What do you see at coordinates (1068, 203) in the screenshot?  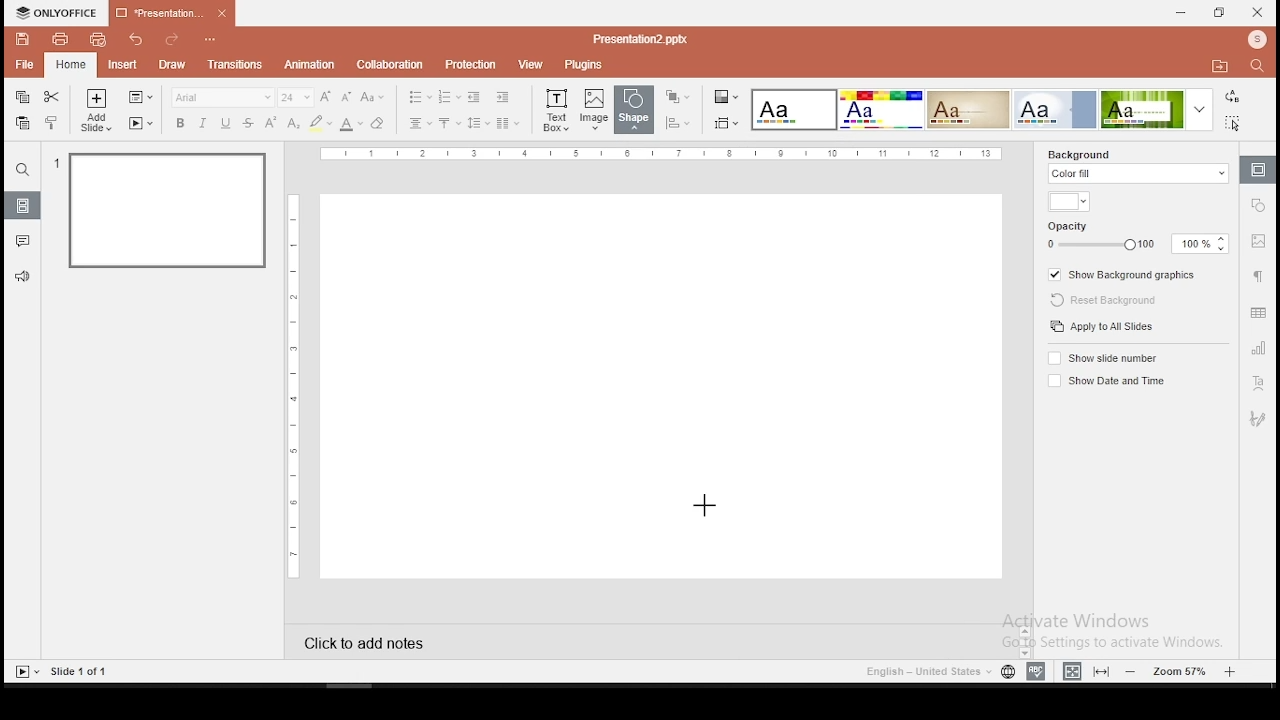 I see `background fill color` at bounding box center [1068, 203].